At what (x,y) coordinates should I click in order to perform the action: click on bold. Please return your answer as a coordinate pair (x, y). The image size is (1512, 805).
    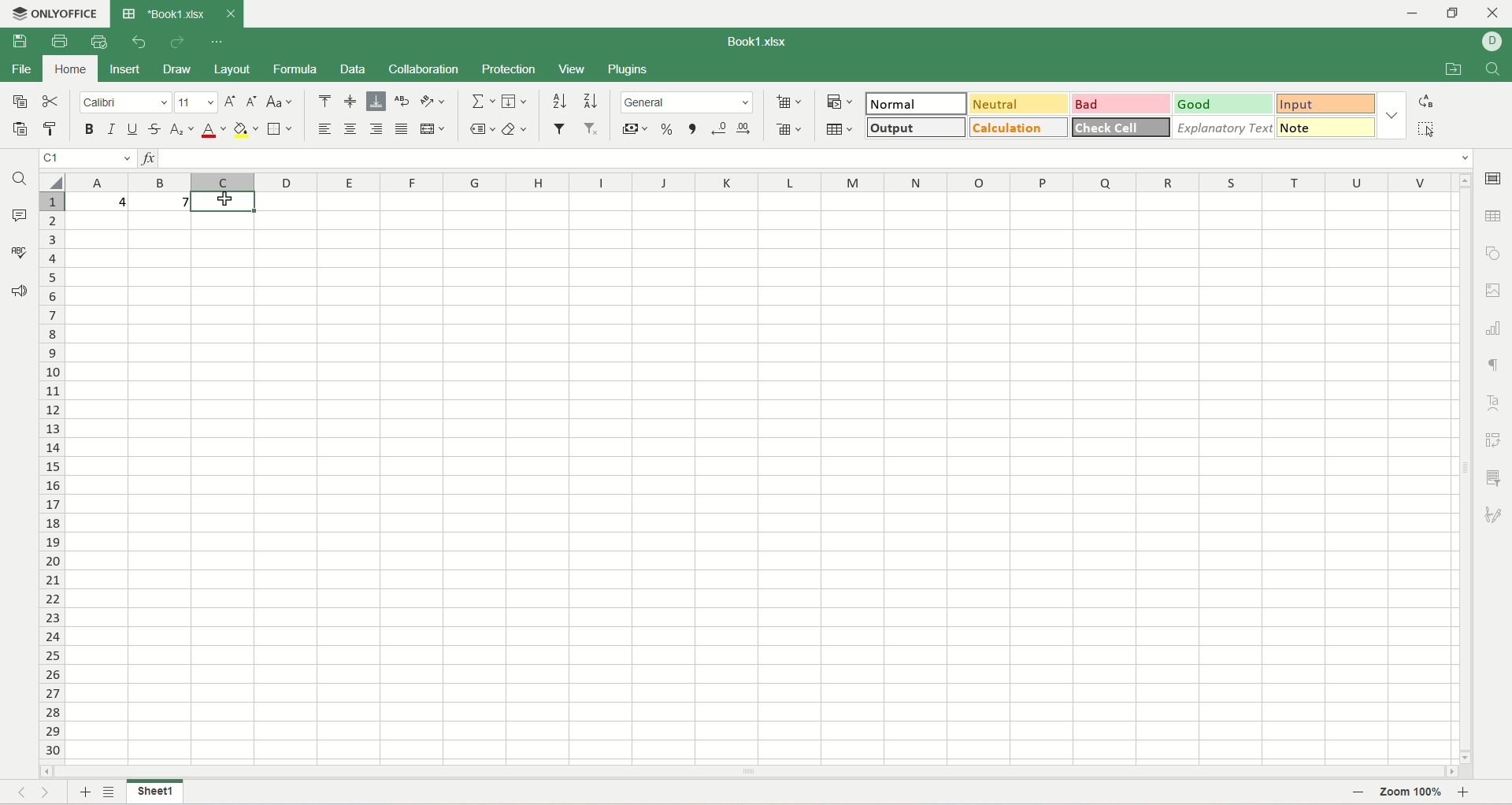
    Looking at the image, I should click on (90, 129).